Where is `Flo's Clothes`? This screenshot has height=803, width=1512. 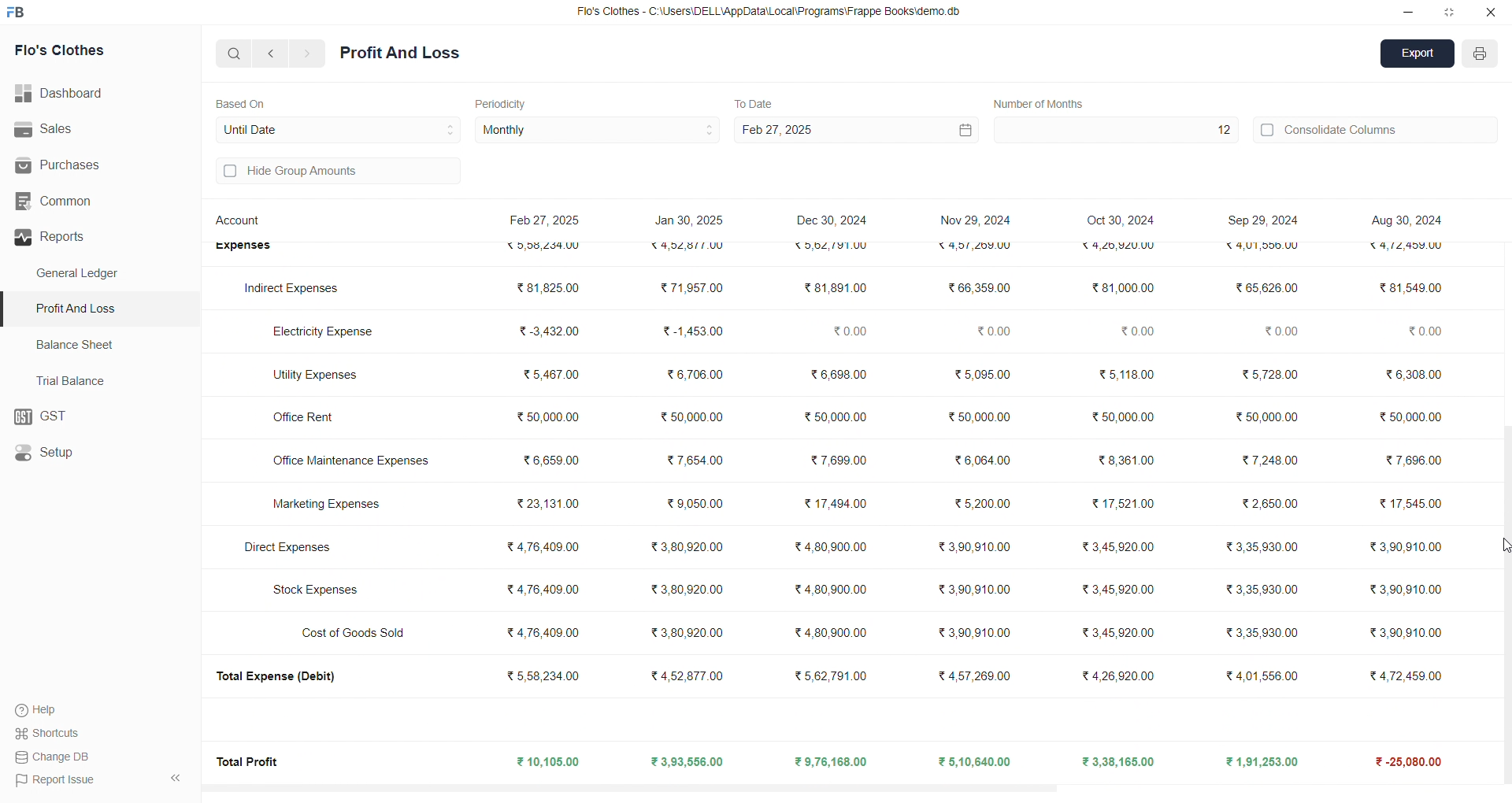 Flo's Clothes is located at coordinates (80, 51).